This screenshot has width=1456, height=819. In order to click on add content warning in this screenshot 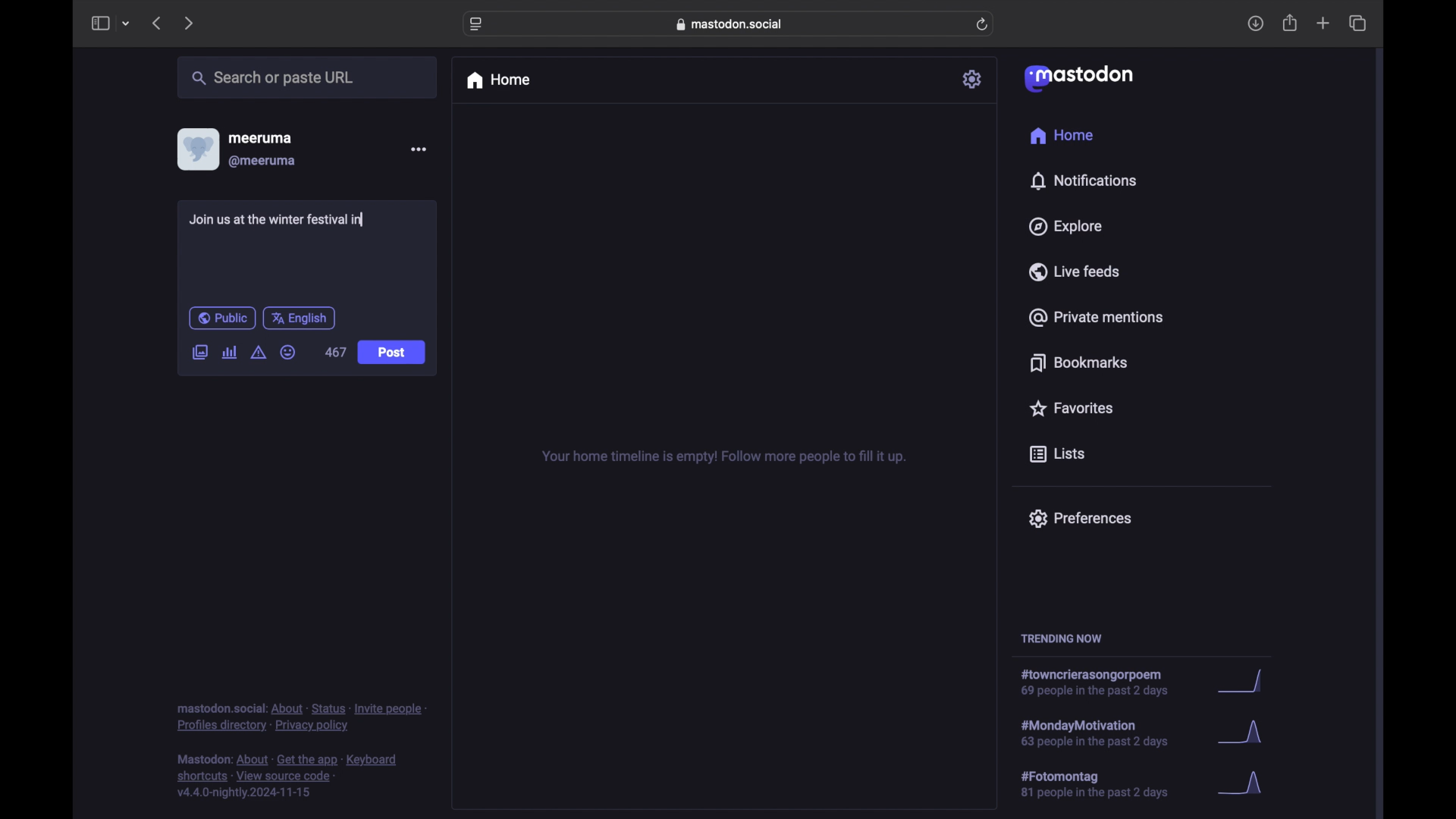, I will do `click(258, 353)`.